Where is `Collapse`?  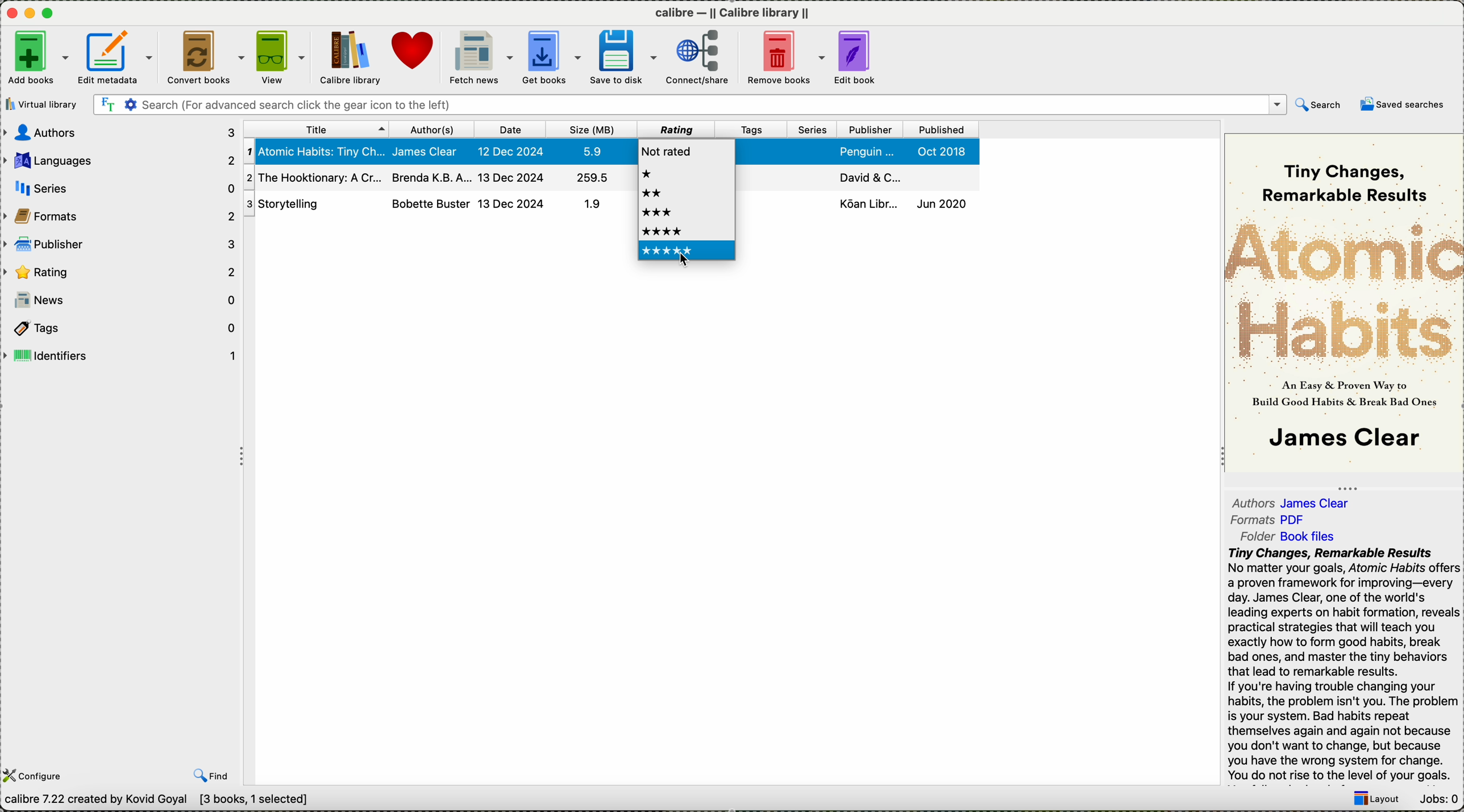
Collapse is located at coordinates (244, 458).